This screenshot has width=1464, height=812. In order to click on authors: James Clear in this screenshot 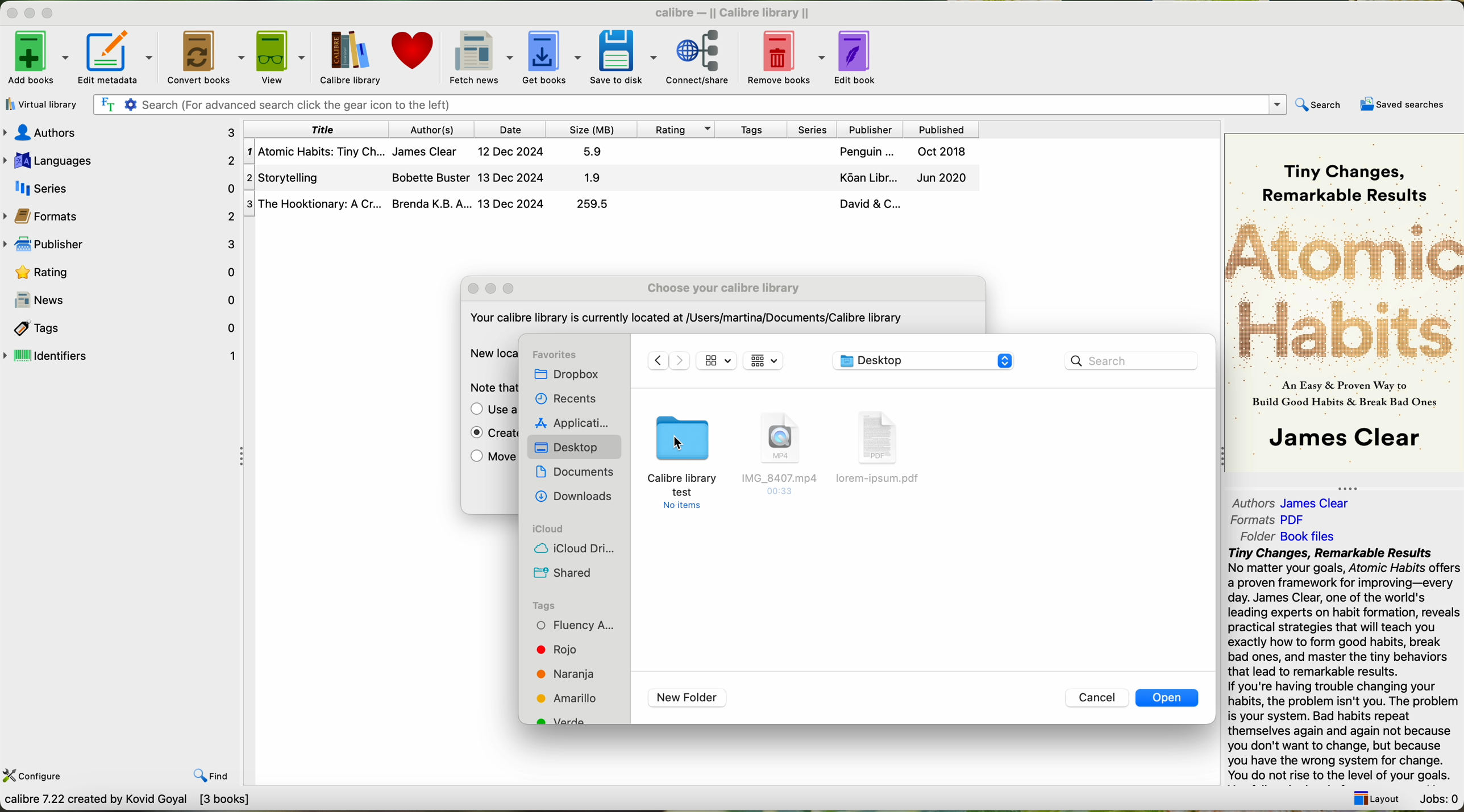, I will do `click(1288, 500)`.